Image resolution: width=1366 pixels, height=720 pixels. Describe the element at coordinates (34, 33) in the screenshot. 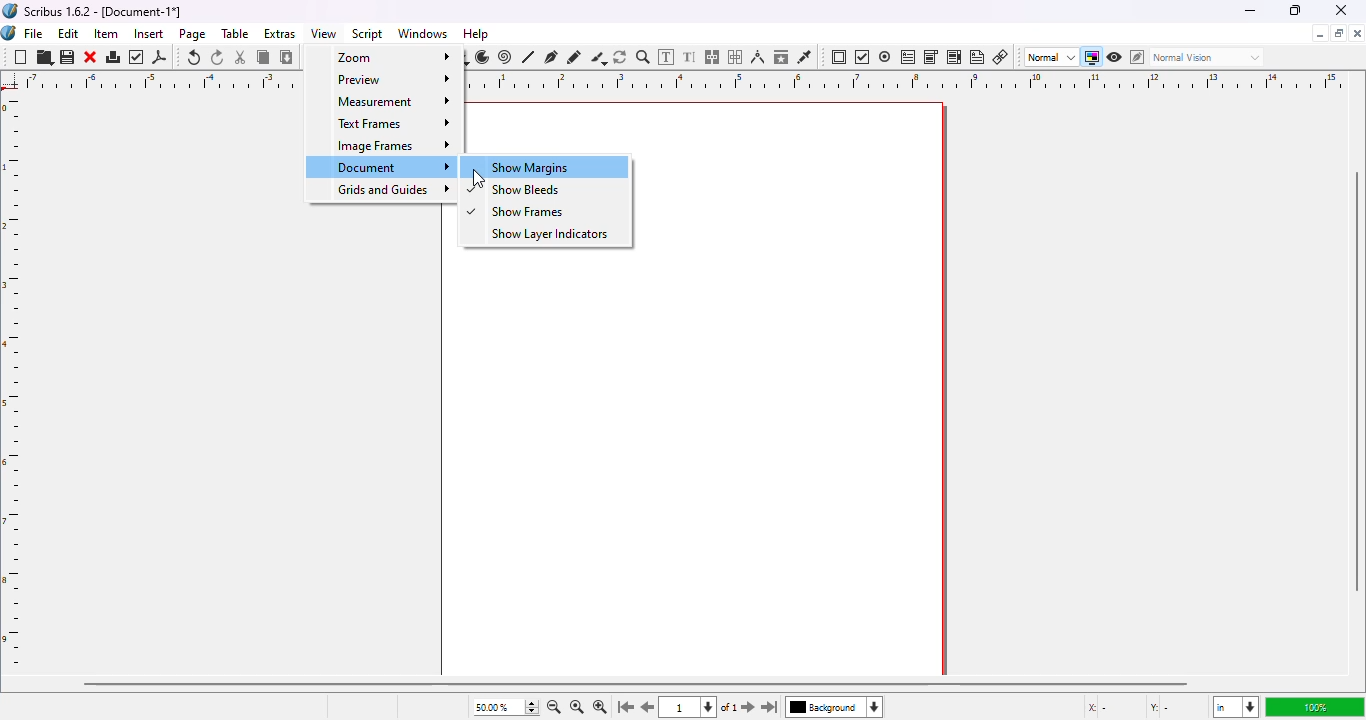

I see `file` at that location.